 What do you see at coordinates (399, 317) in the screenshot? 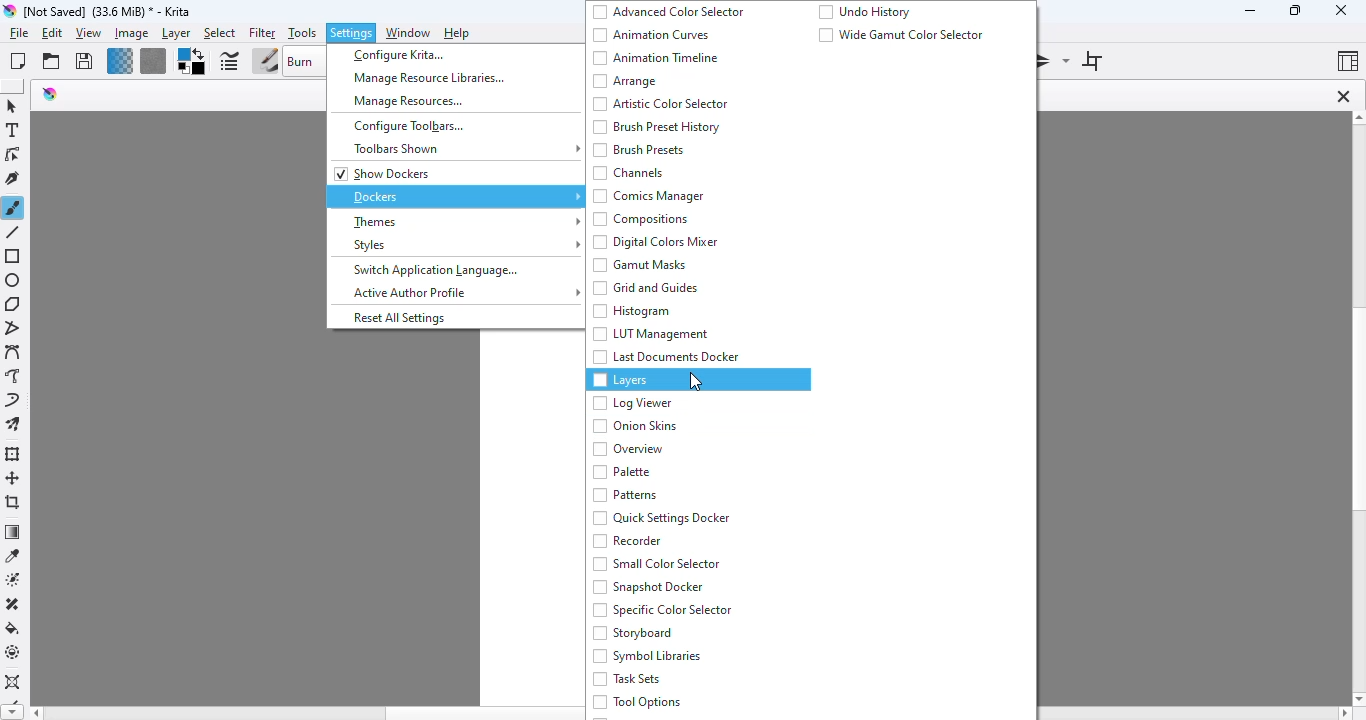
I see `reset all settings` at bounding box center [399, 317].